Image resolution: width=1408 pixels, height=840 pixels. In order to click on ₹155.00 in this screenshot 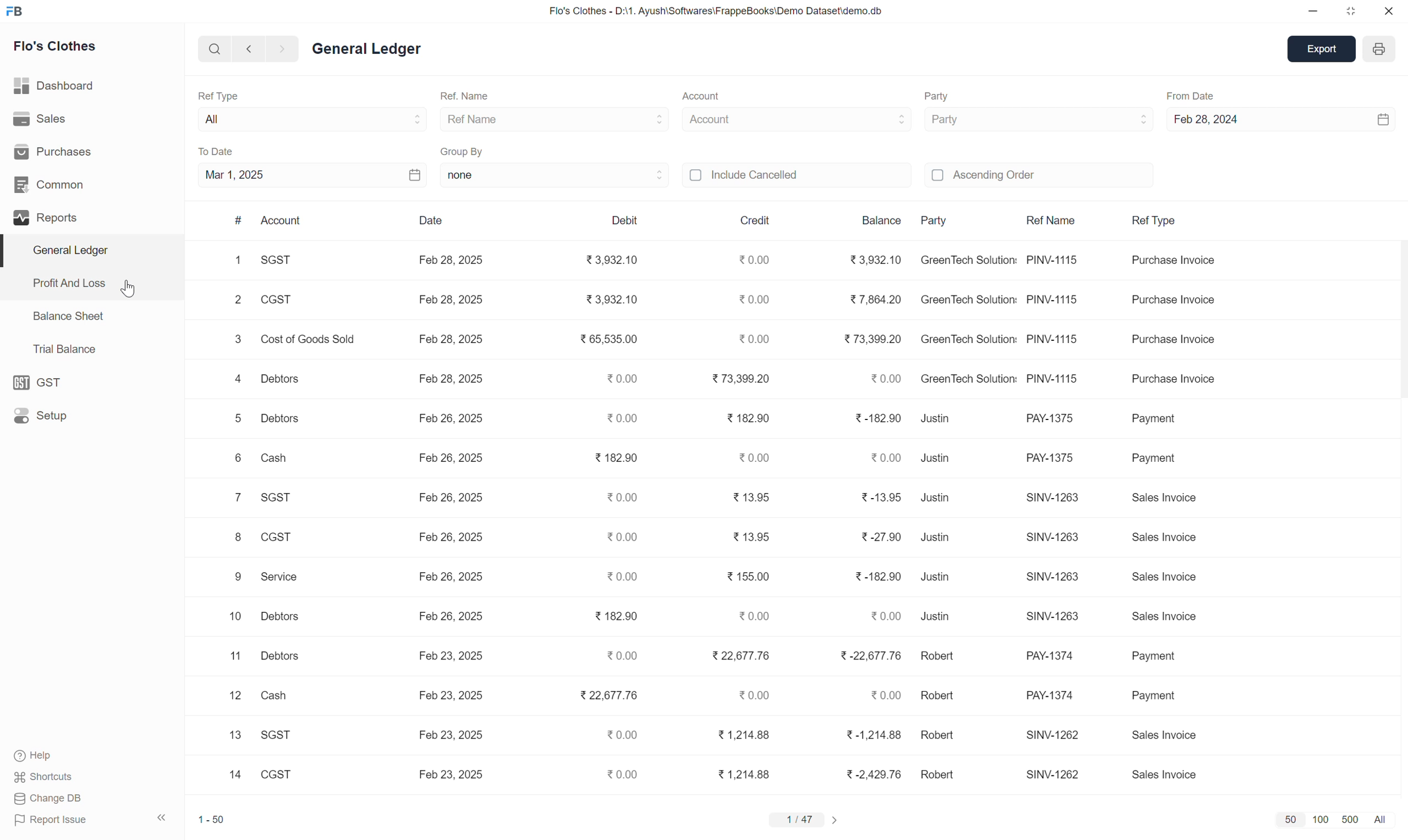, I will do `click(751, 574)`.